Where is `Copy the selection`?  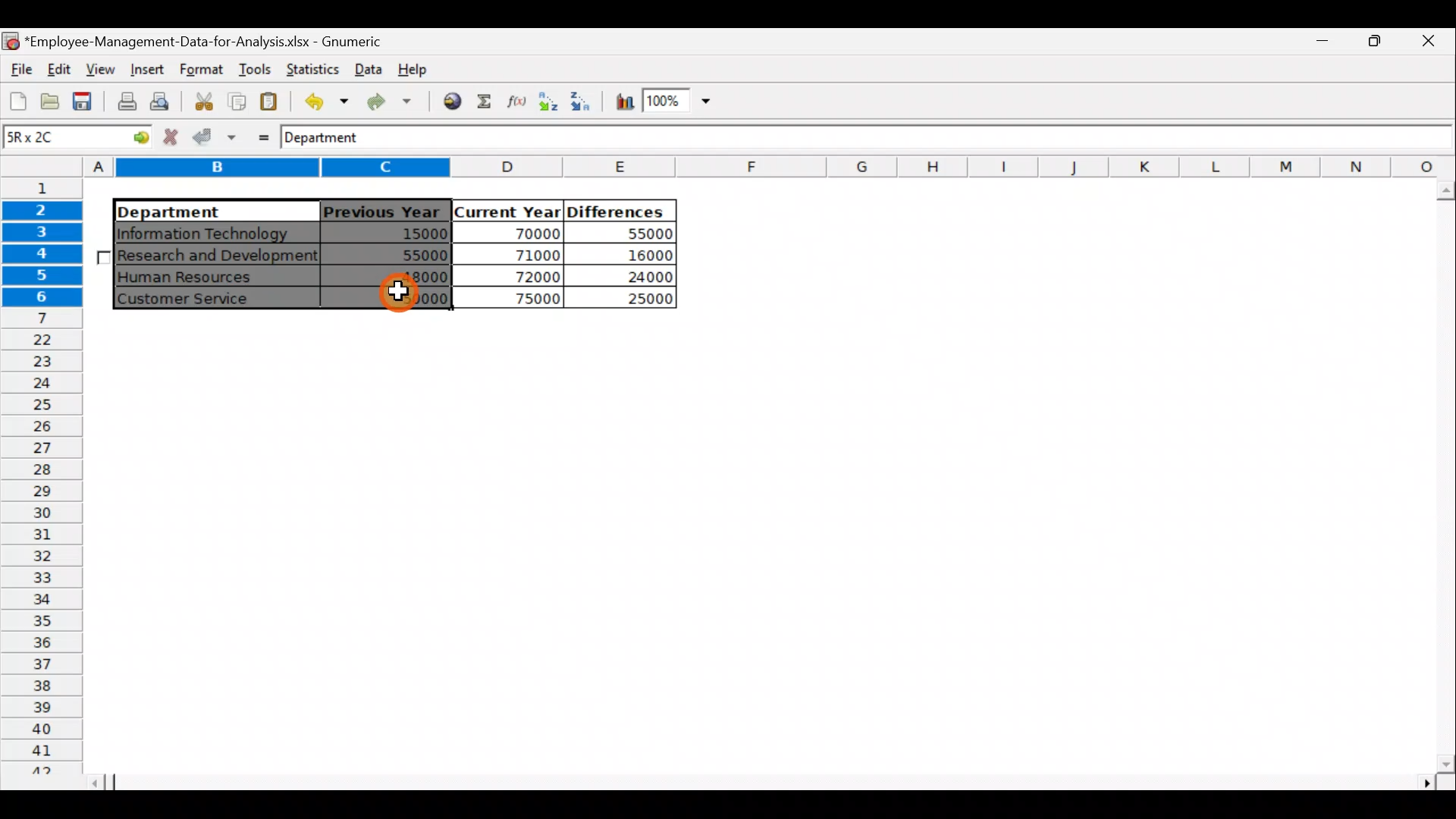
Copy the selection is located at coordinates (236, 102).